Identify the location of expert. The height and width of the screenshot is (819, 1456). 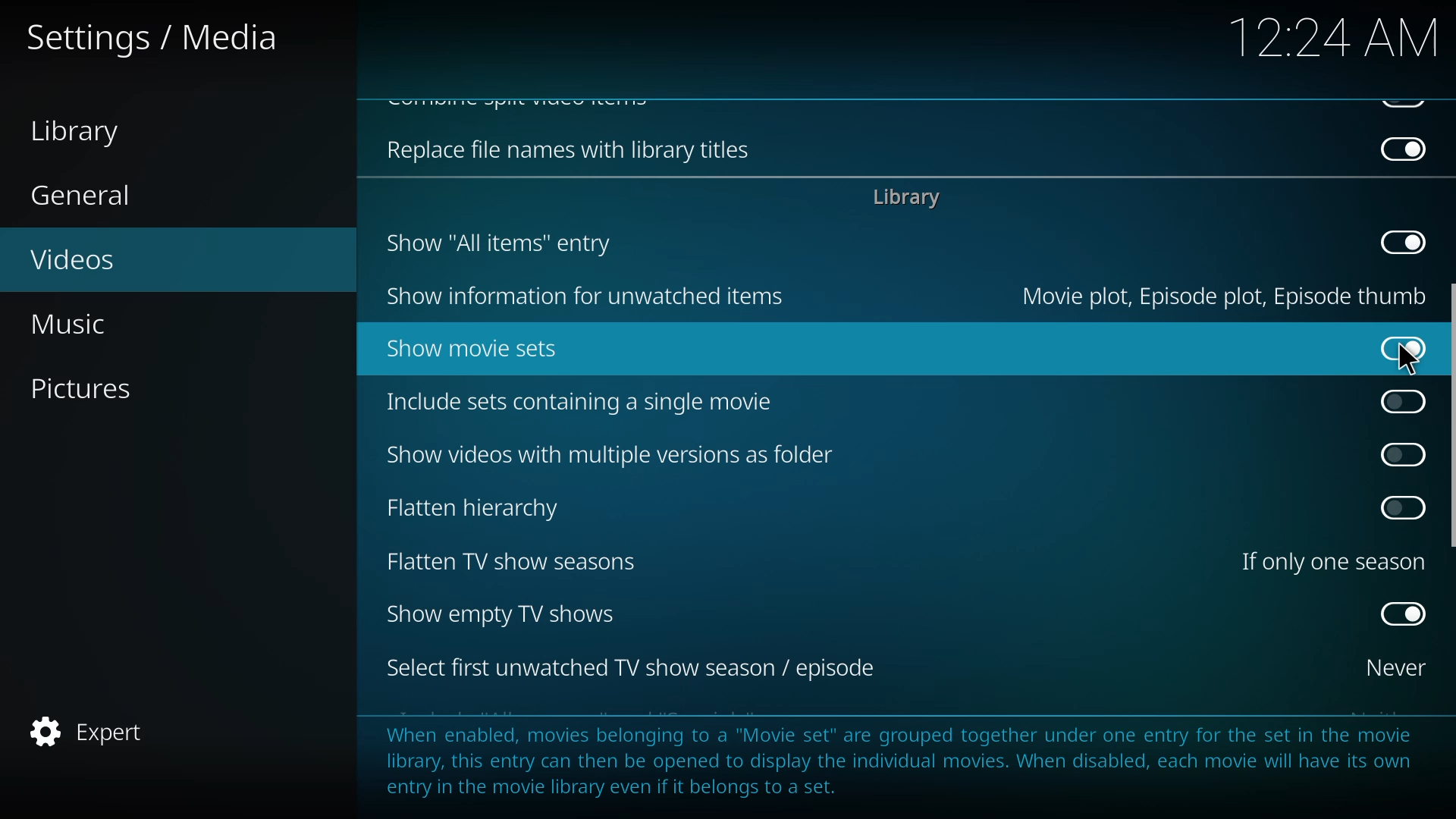
(92, 727).